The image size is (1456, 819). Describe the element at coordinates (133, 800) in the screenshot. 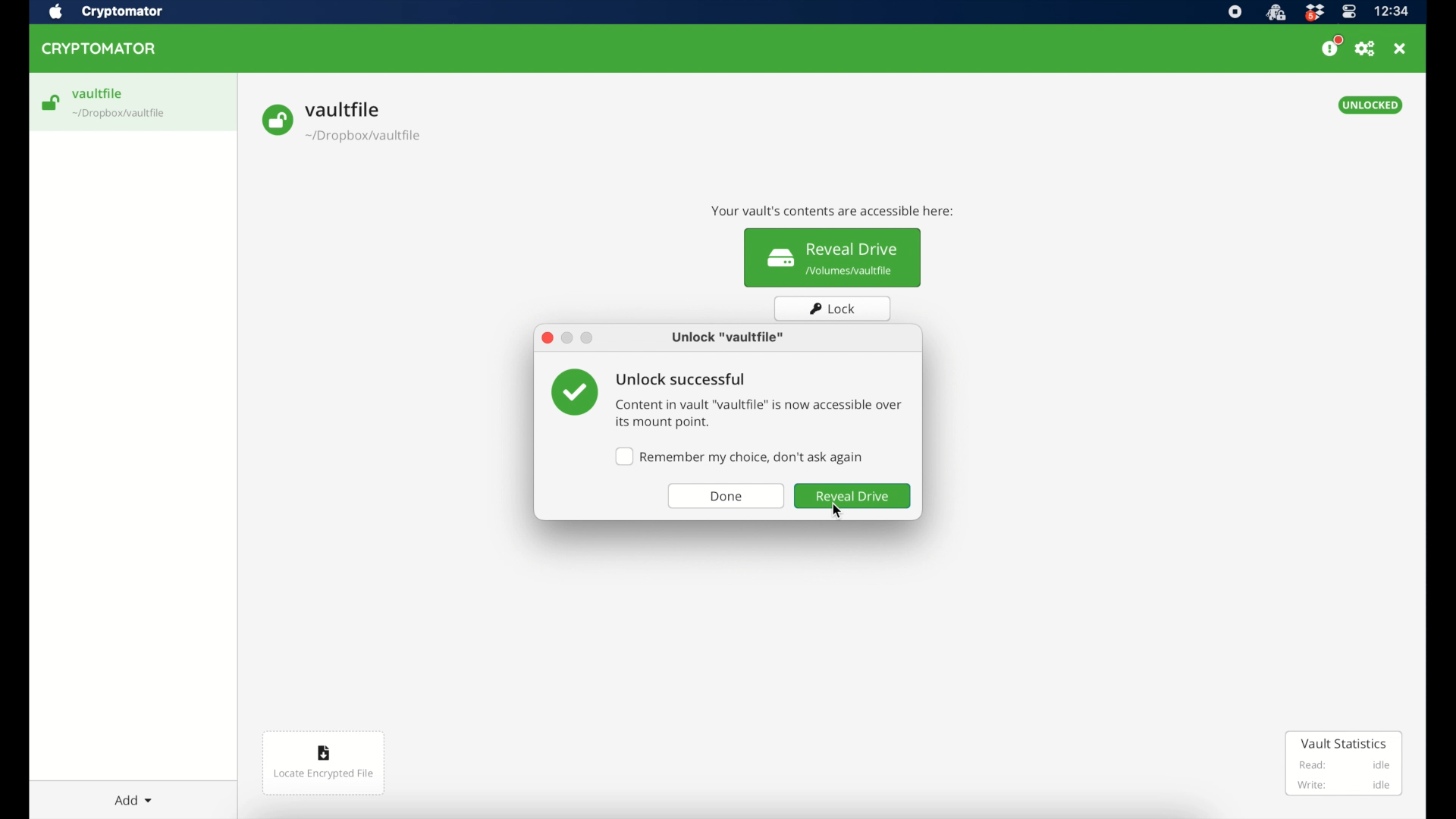

I see `add` at that location.